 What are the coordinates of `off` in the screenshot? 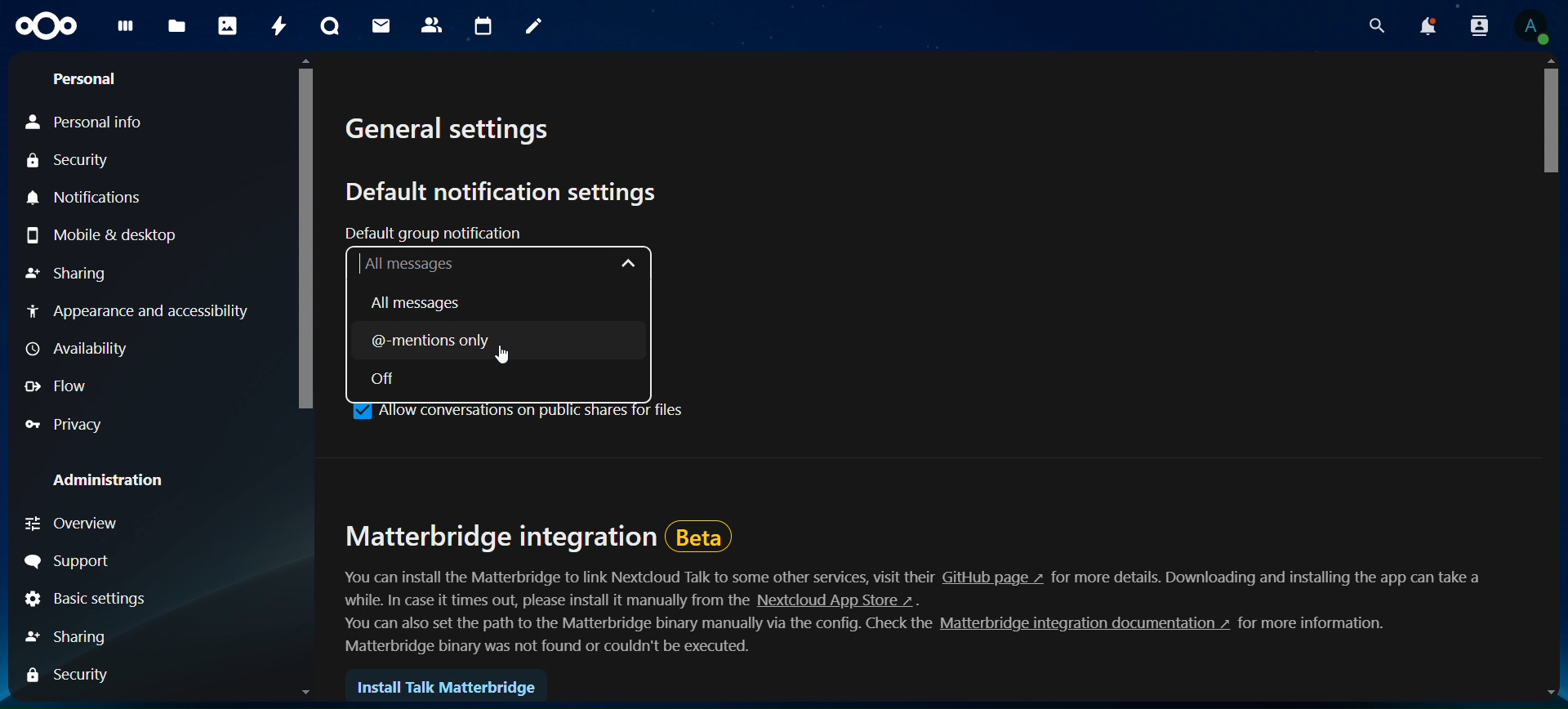 It's located at (393, 378).